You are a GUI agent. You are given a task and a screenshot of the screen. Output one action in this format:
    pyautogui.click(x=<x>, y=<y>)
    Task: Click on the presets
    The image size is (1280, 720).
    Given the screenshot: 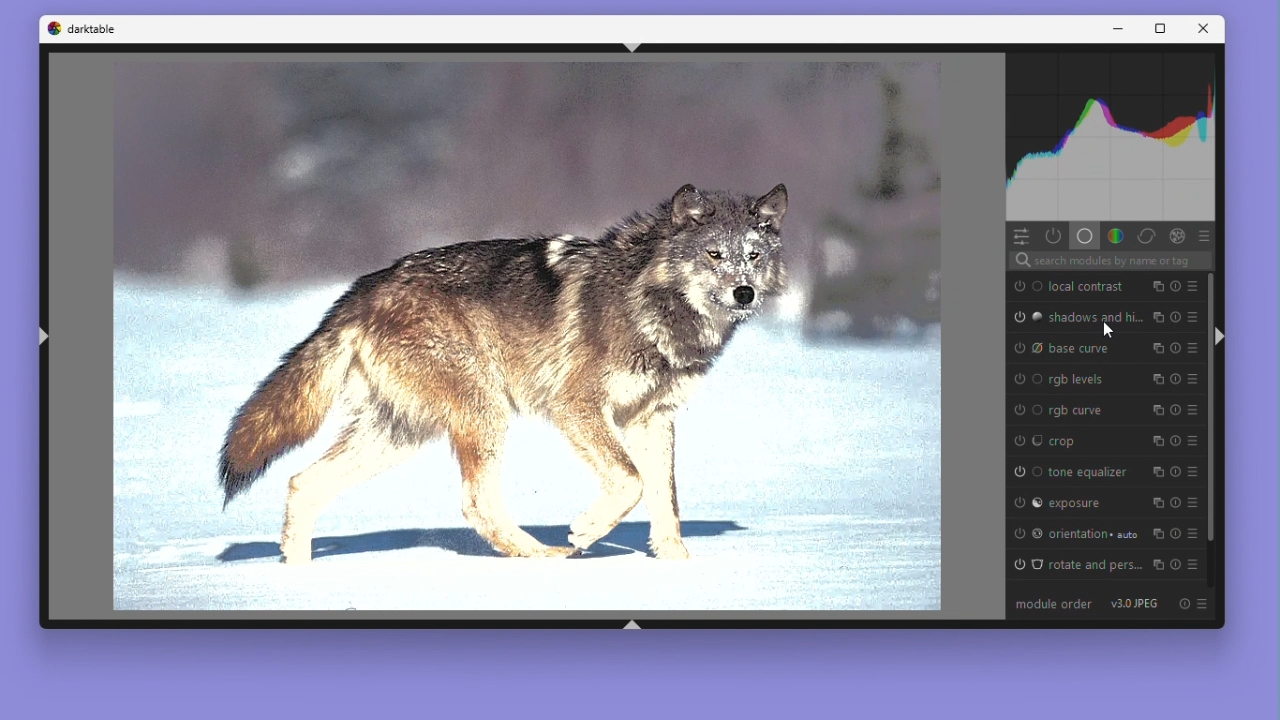 What is the action you would take?
    pyautogui.click(x=1194, y=287)
    